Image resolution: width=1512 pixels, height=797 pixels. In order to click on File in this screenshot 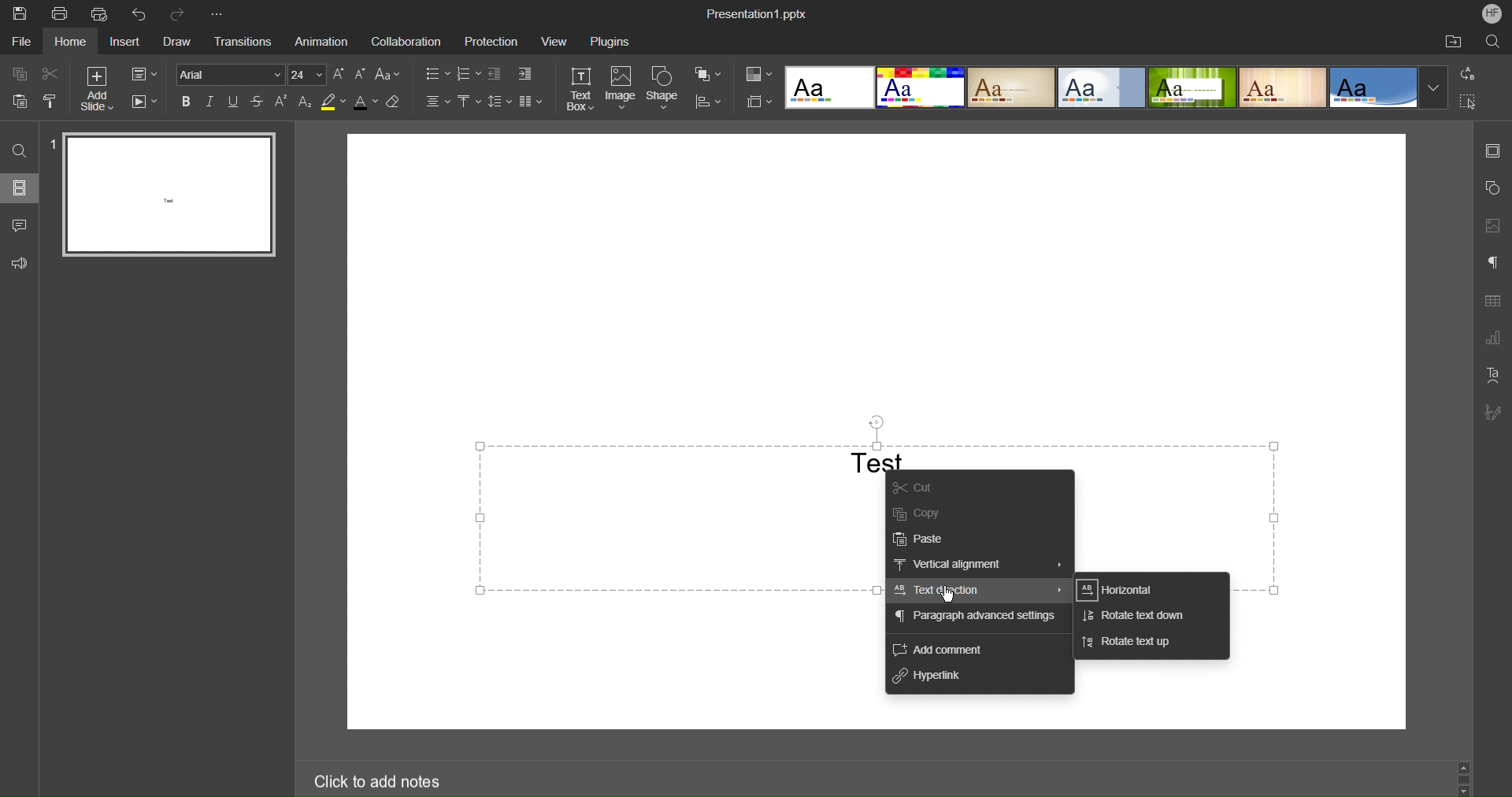, I will do `click(20, 43)`.